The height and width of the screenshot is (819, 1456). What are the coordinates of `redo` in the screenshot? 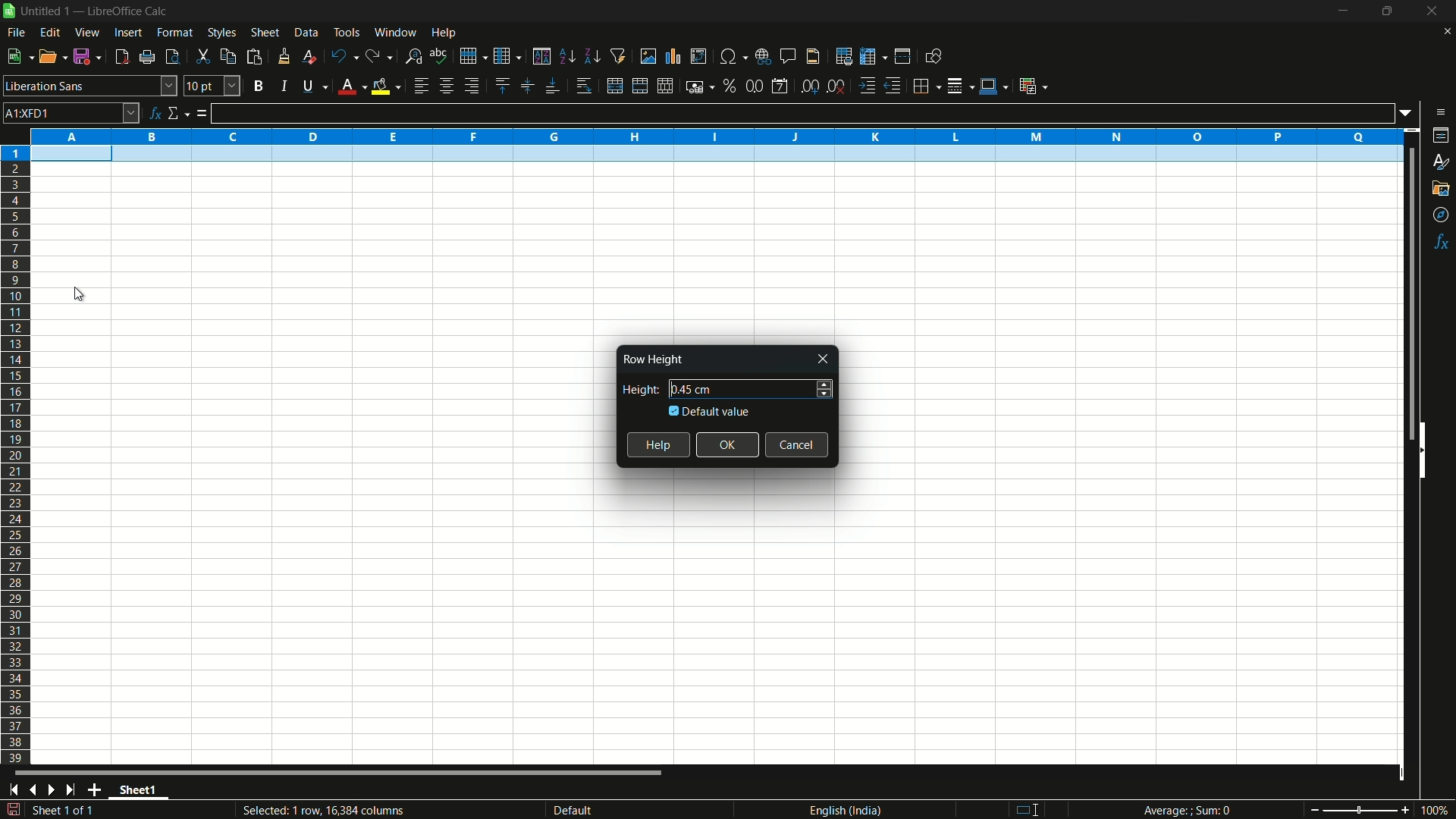 It's located at (380, 57).